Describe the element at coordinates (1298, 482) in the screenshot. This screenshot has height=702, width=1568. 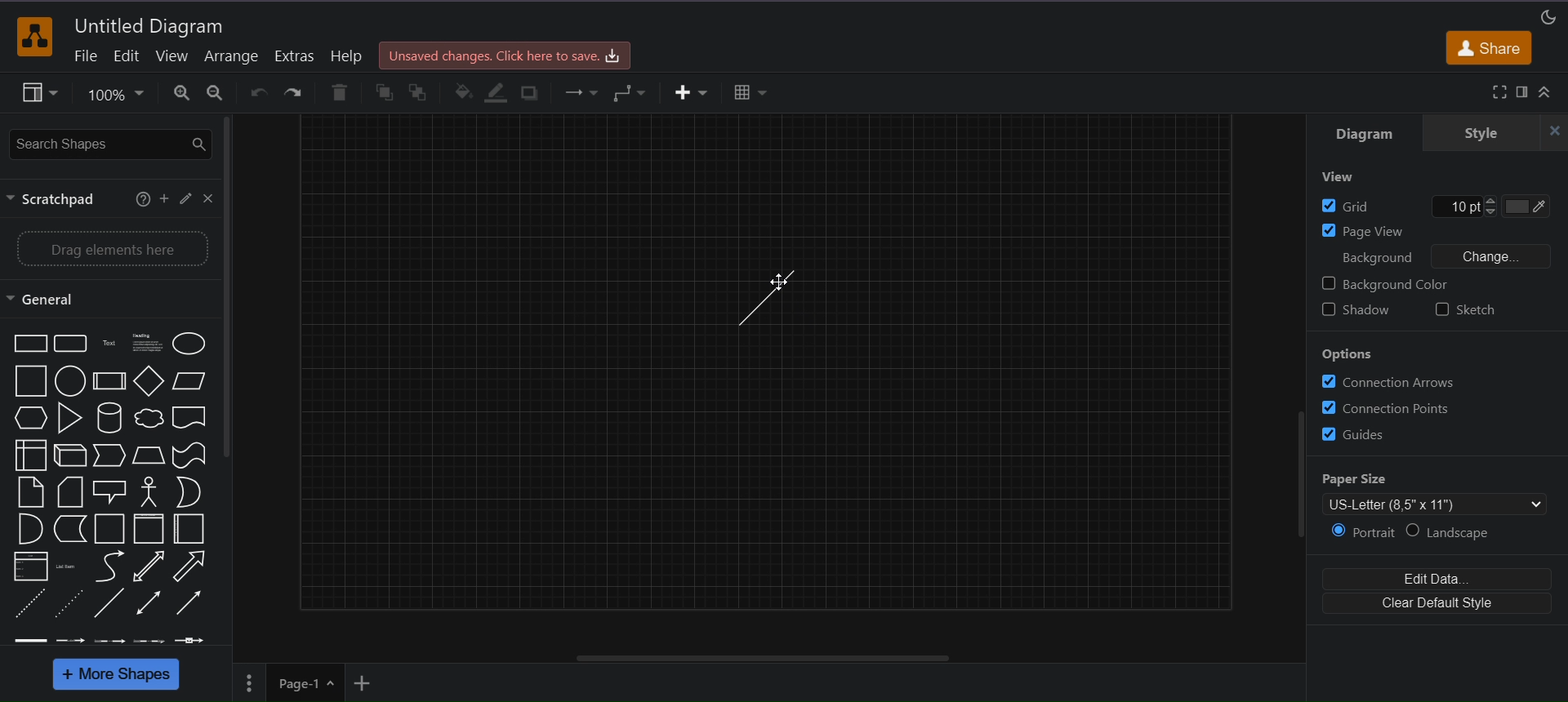
I see `vertical scrollbar` at that location.